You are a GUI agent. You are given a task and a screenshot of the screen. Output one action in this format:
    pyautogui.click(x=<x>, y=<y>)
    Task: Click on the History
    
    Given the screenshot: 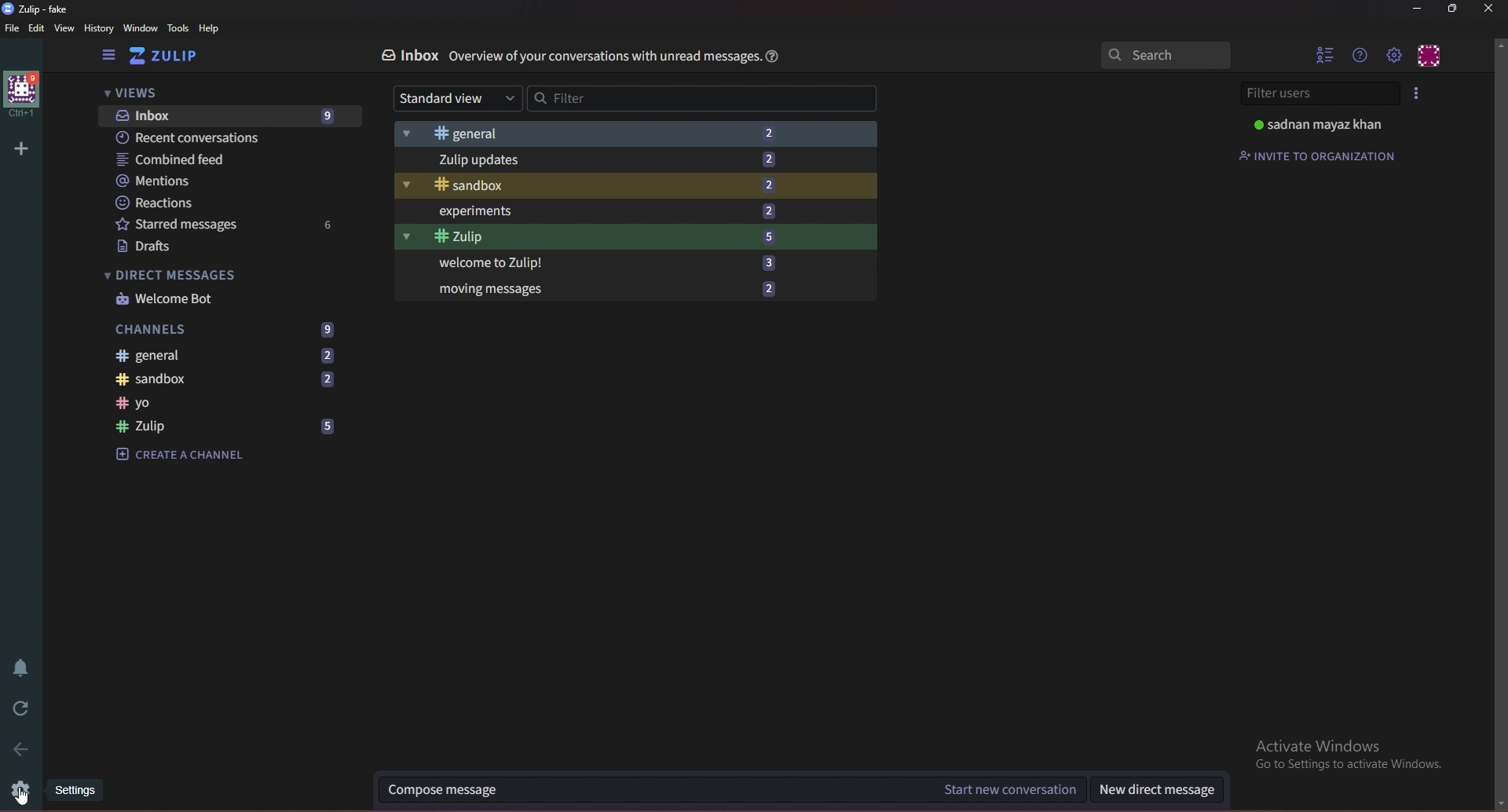 What is the action you would take?
    pyautogui.click(x=99, y=28)
    